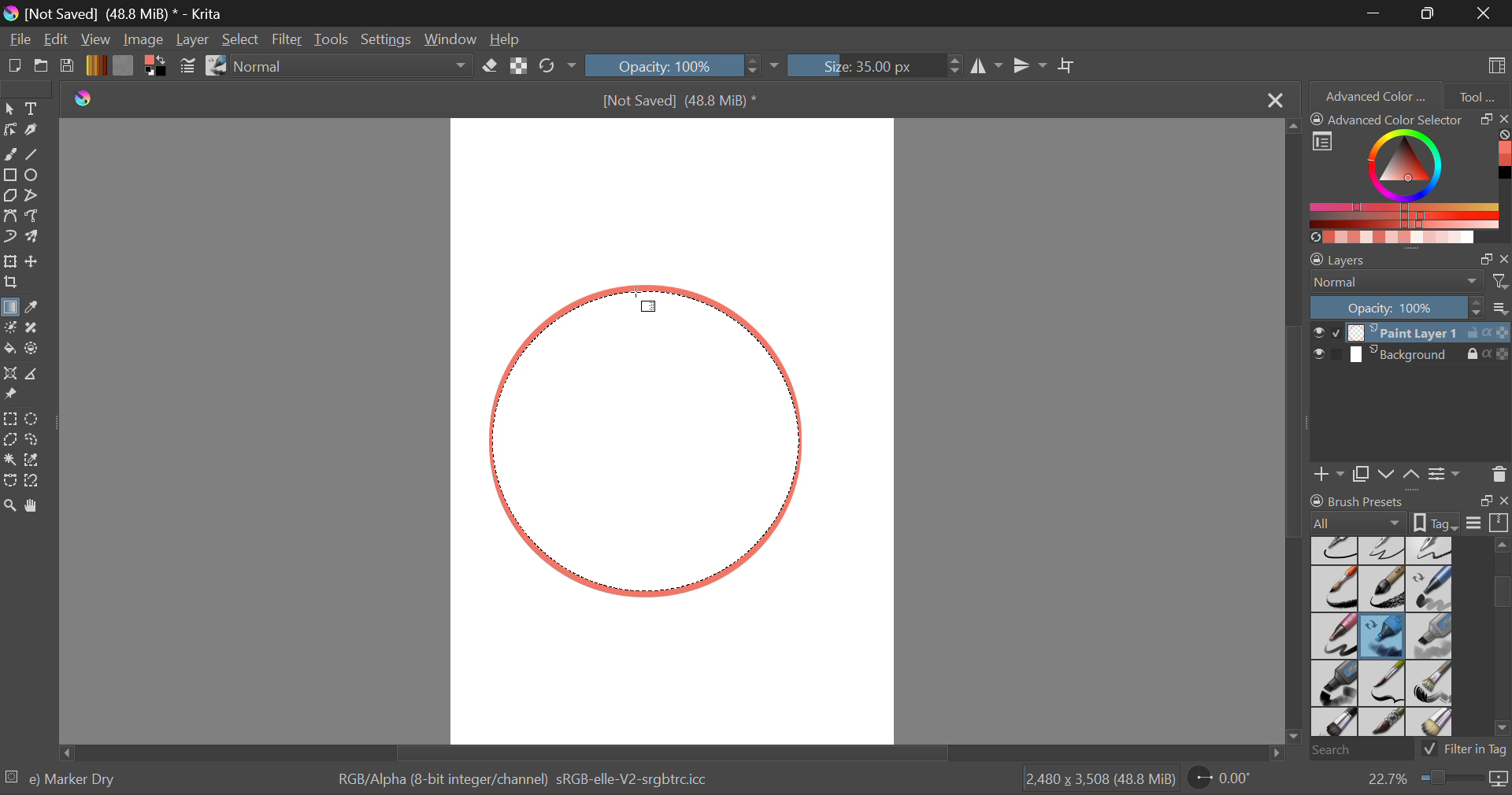 This screenshot has width=1512, height=795. What do you see at coordinates (1499, 474) in the screenshot?
I see `Delete` at bounding box center [1499, 474].